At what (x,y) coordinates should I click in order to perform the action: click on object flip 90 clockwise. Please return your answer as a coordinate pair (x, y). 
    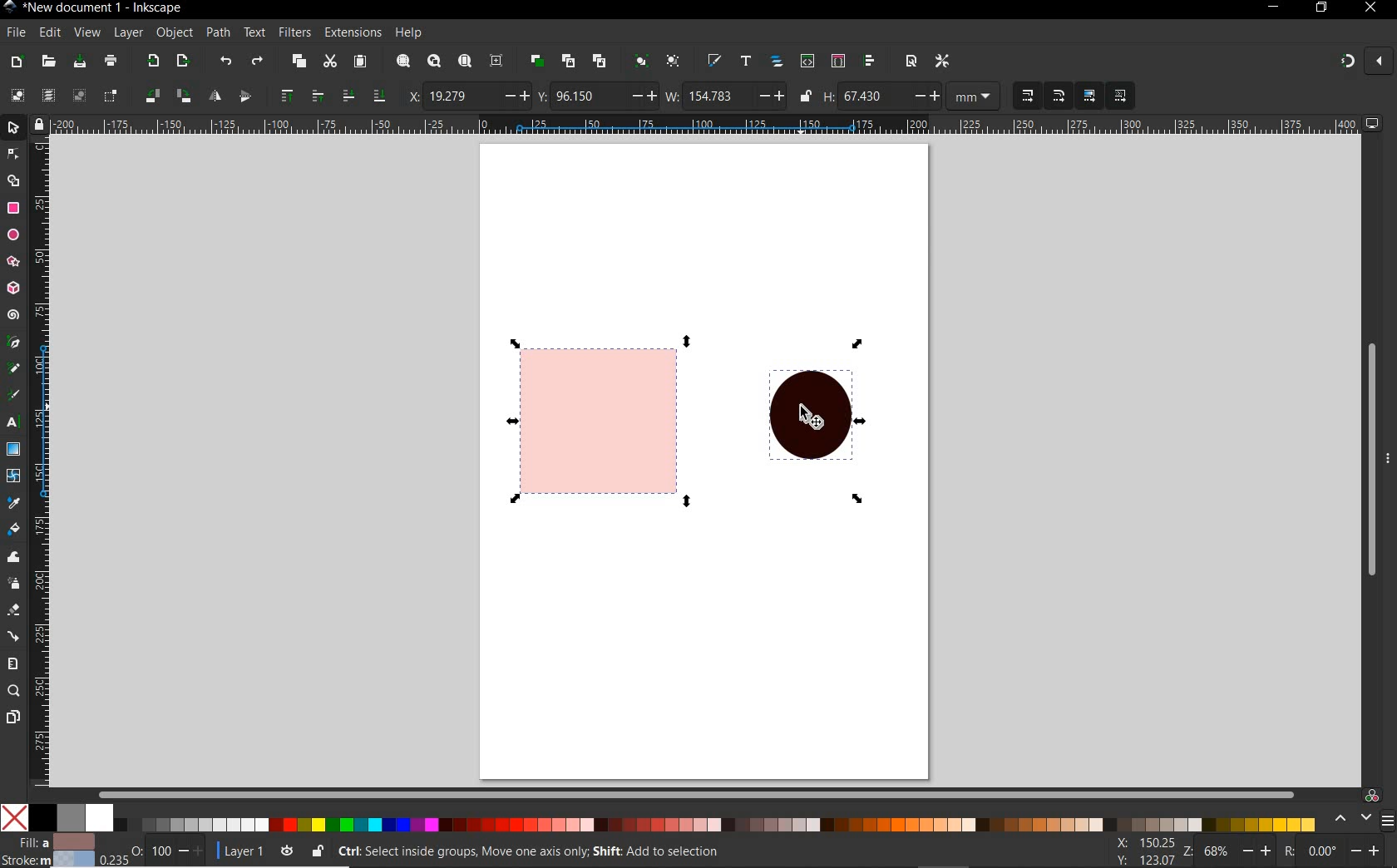
    Looking at the image, I should click on (165, 95).